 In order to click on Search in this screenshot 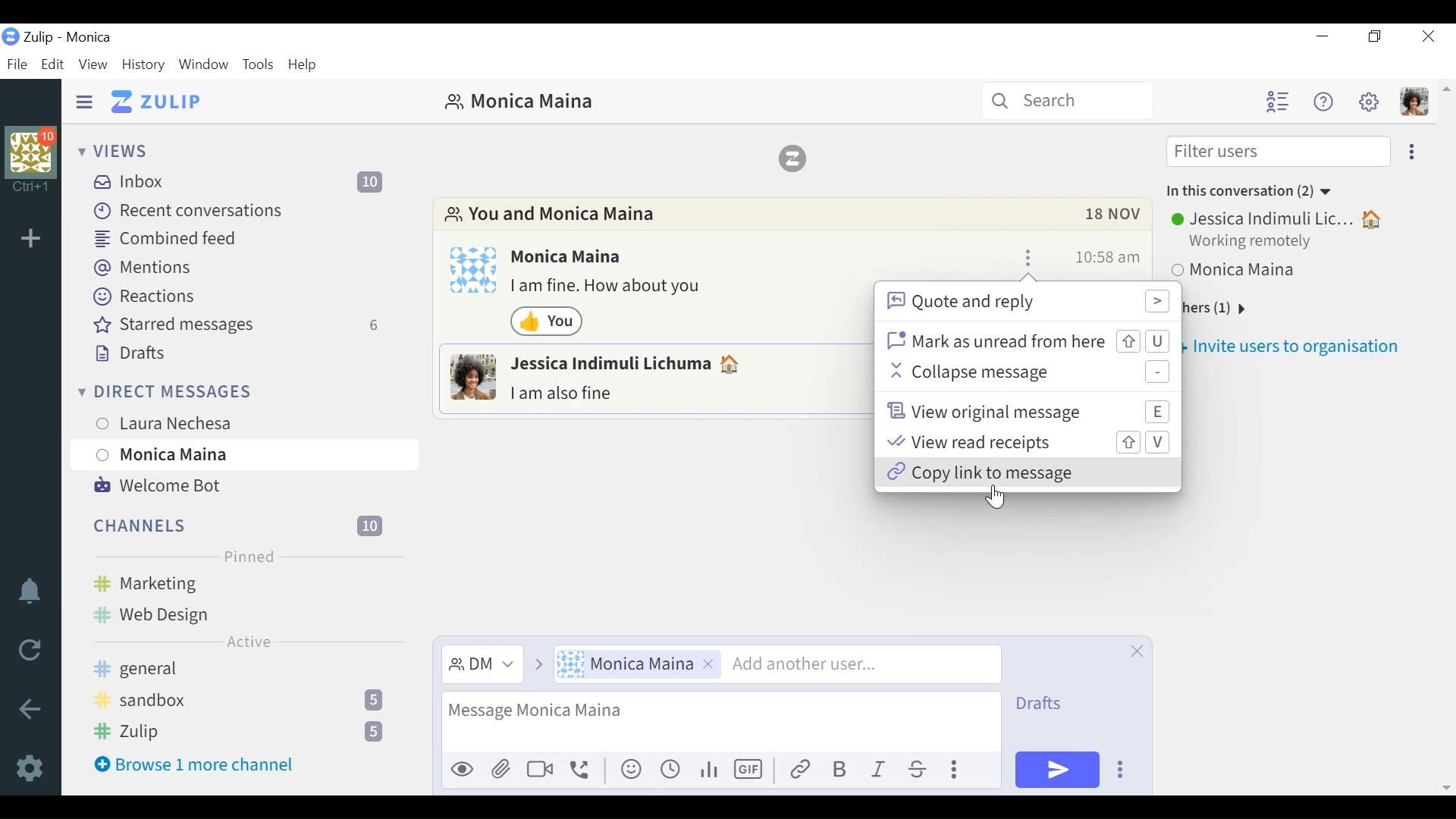, I will do `click(1068, 102)`.